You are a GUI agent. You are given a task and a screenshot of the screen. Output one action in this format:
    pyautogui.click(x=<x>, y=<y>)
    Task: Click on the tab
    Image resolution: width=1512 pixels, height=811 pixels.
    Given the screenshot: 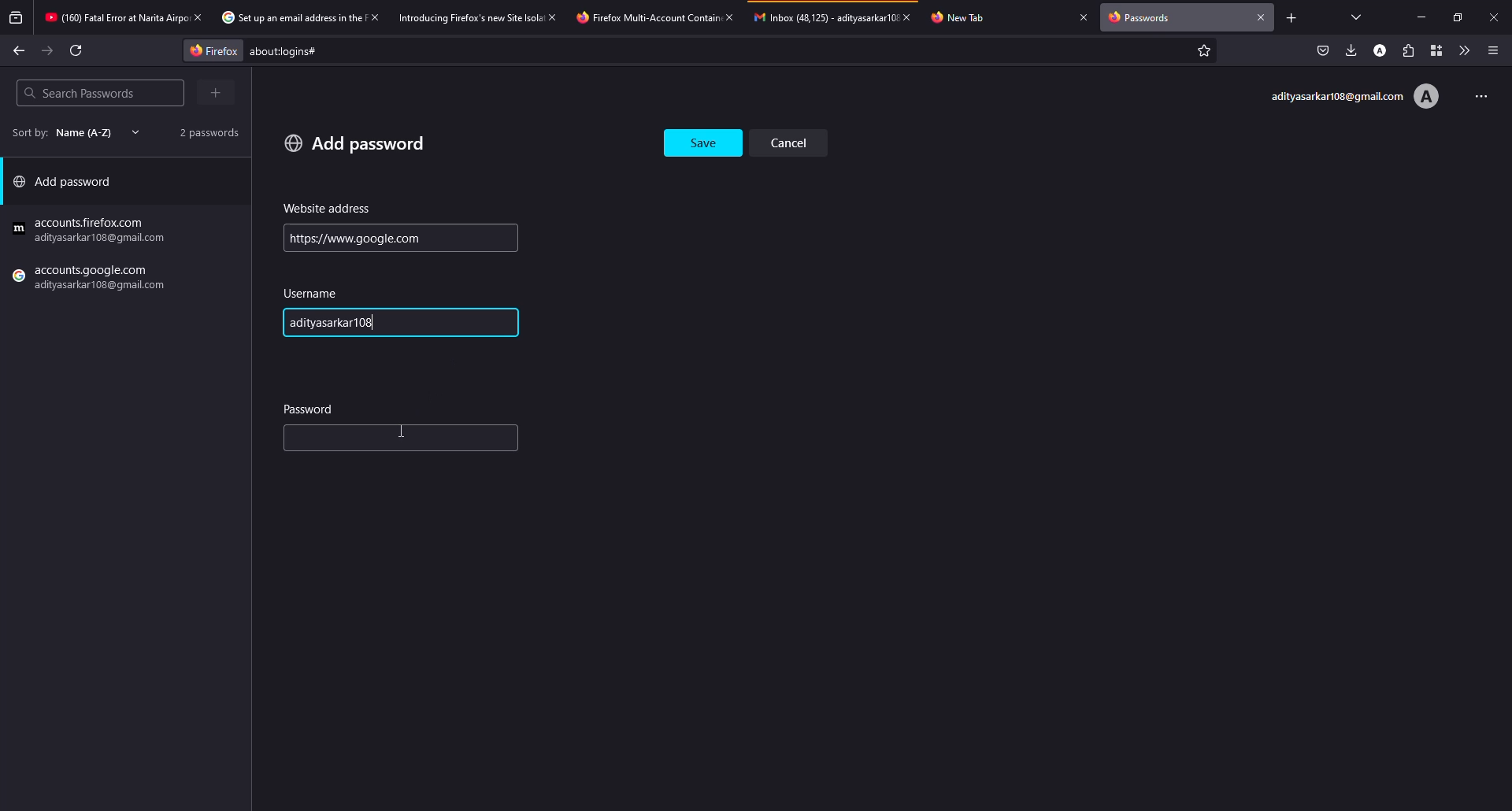 What is the action you would take?
    pyautogui.click(x=469, y=17)
    